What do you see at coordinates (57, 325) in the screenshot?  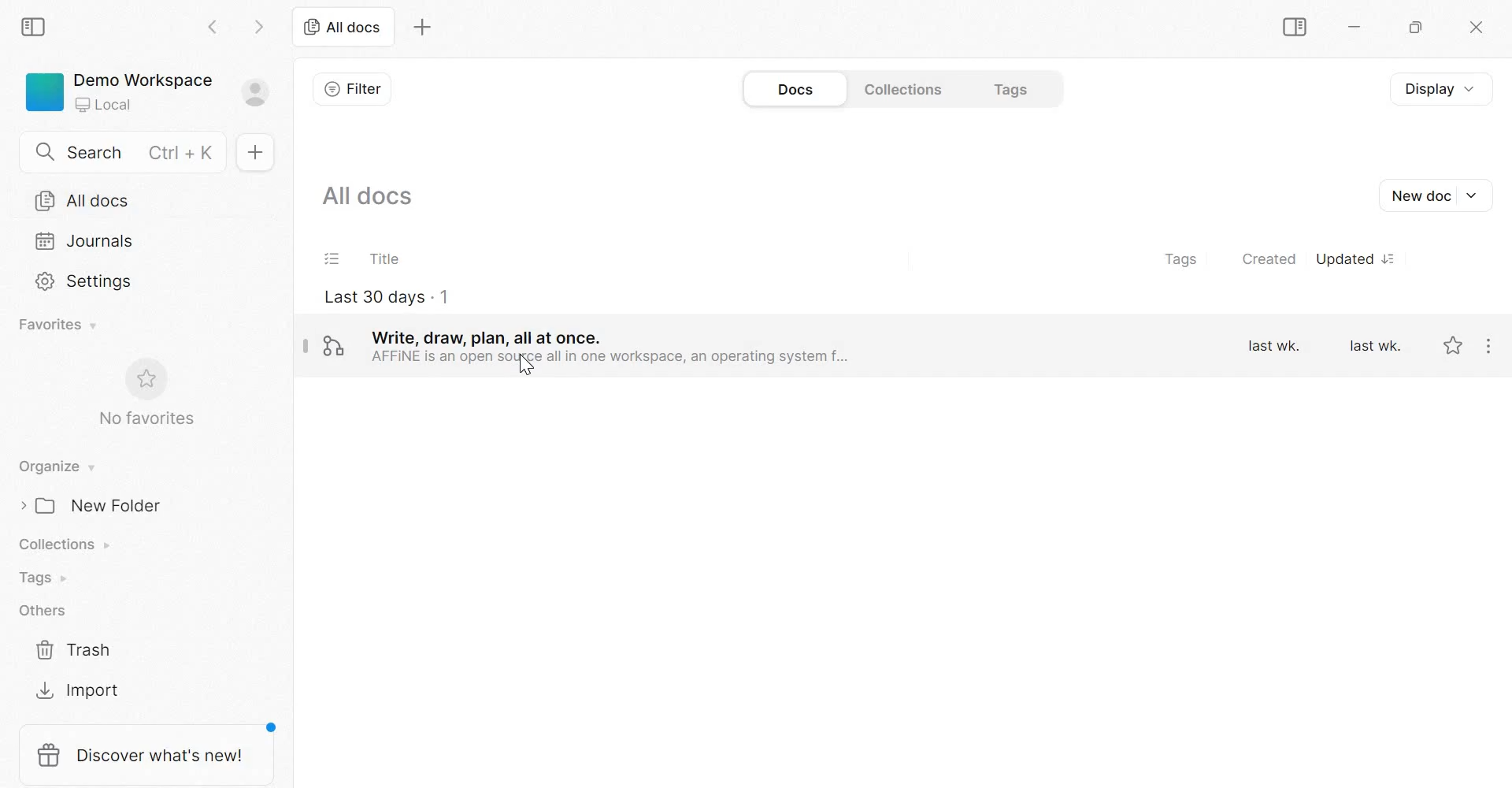 I see `Favorites` at bounding box center [57, 325].